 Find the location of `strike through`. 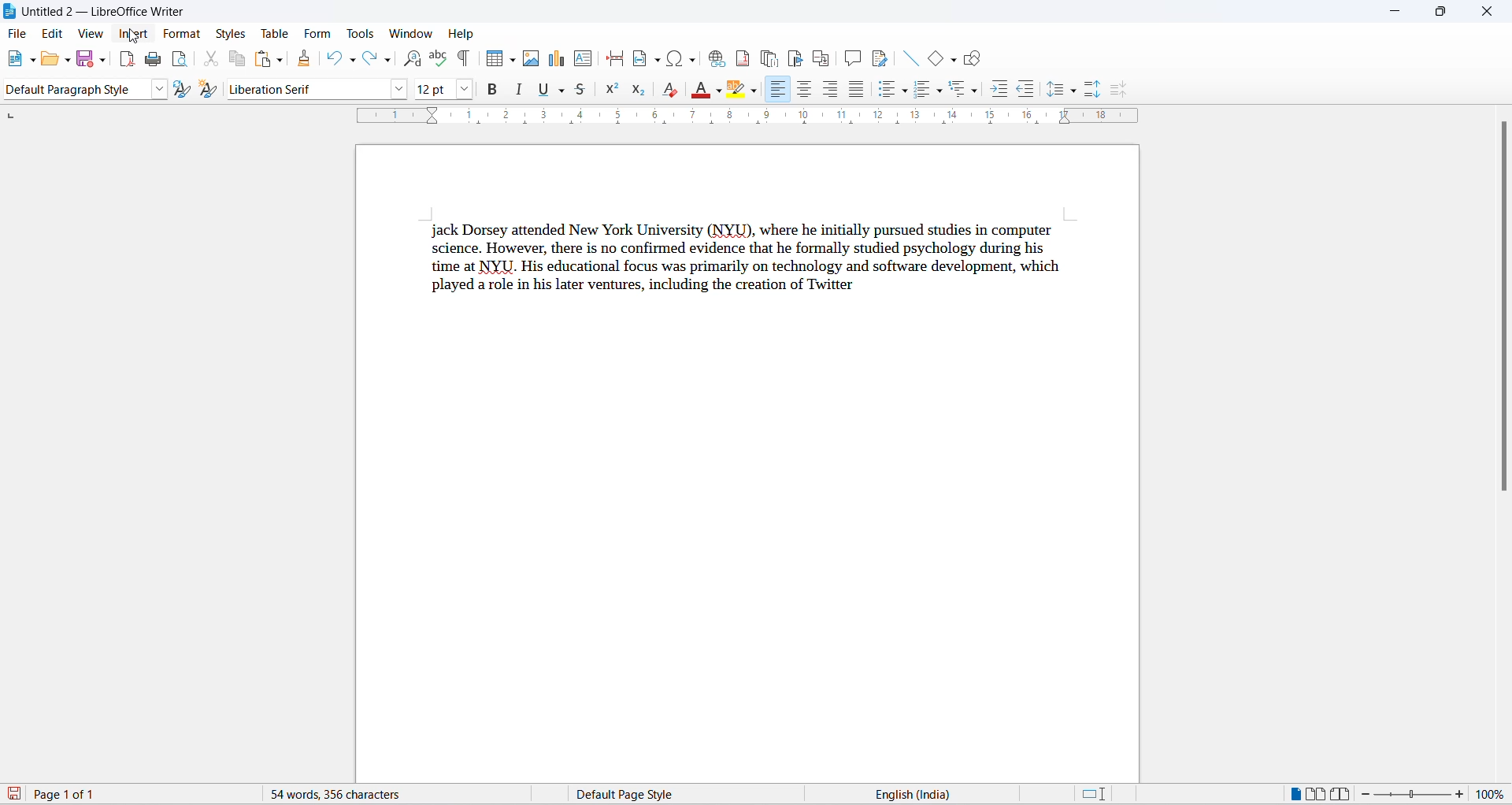

strike through is located at coordinates (584, 93).